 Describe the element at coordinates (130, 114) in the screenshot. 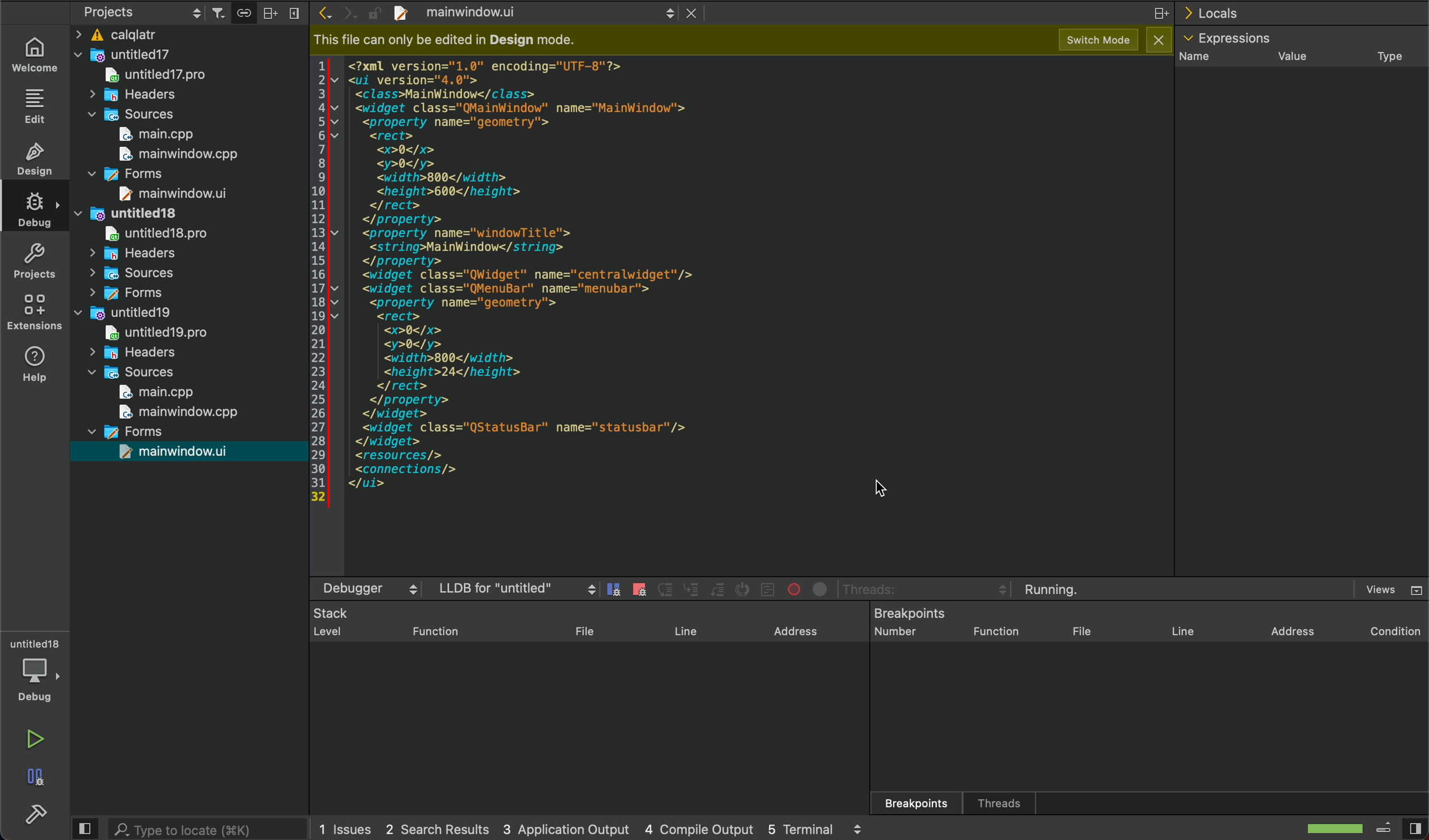

I see `sources` at that location.